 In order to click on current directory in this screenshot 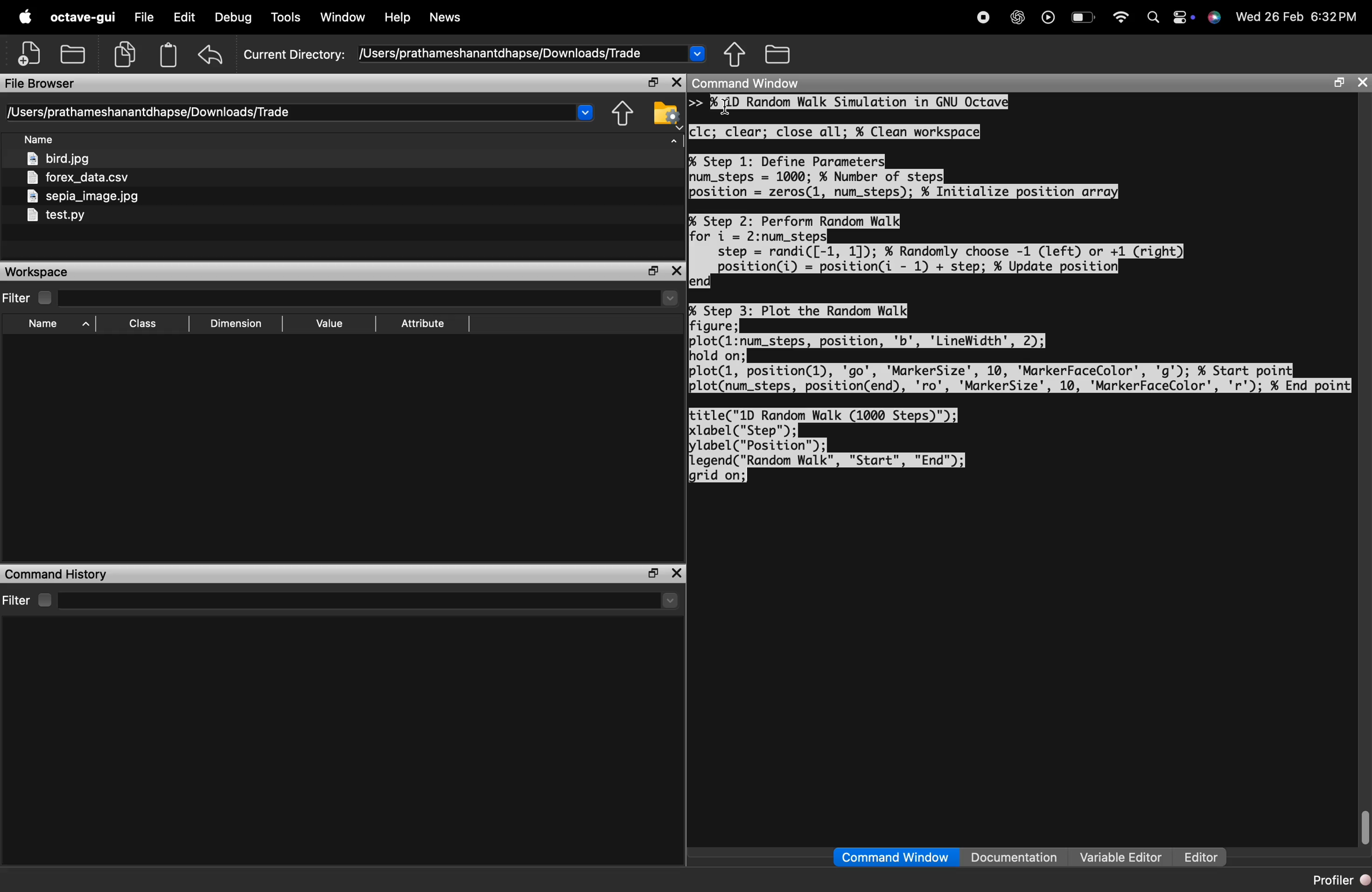, I will do `click(475, 54)`.